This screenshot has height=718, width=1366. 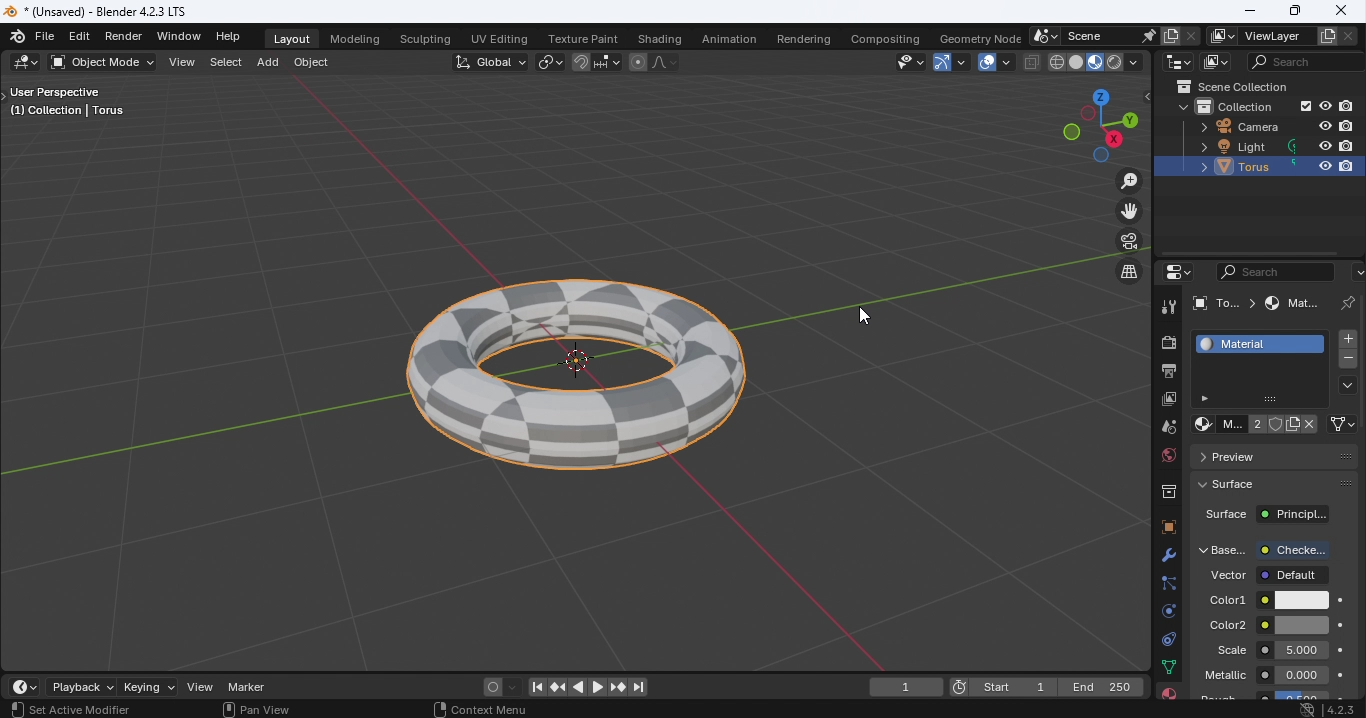 What do you see at coordinates (875, 322) in the screenshot?
I see `Cursor` at bounding box center [875, 322].